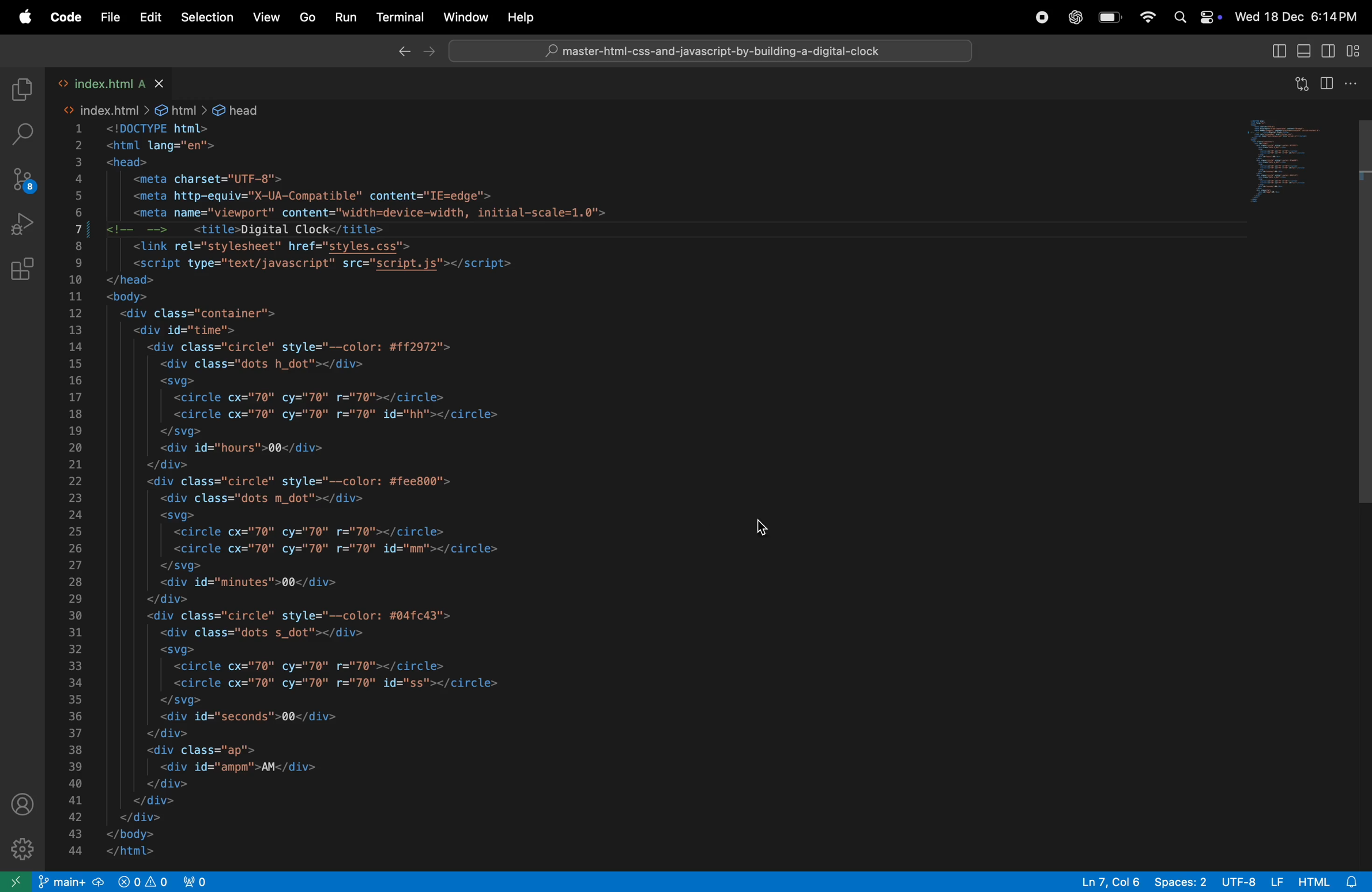 The width and height of the screenshot is (1372, 892). I want to click on close, so click(18, 48).